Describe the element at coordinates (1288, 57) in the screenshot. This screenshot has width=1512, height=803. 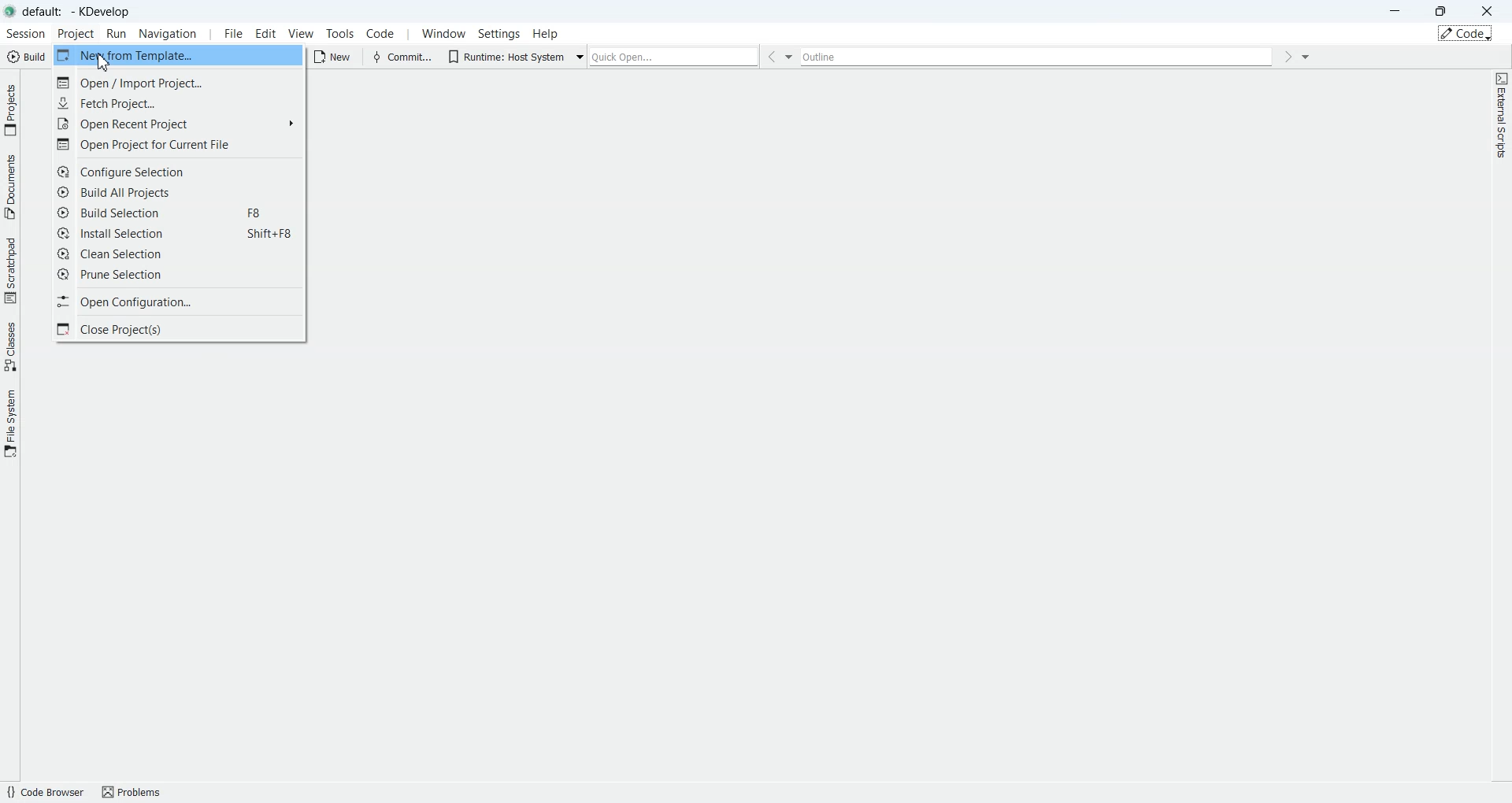
I see `Go forward` at that location.